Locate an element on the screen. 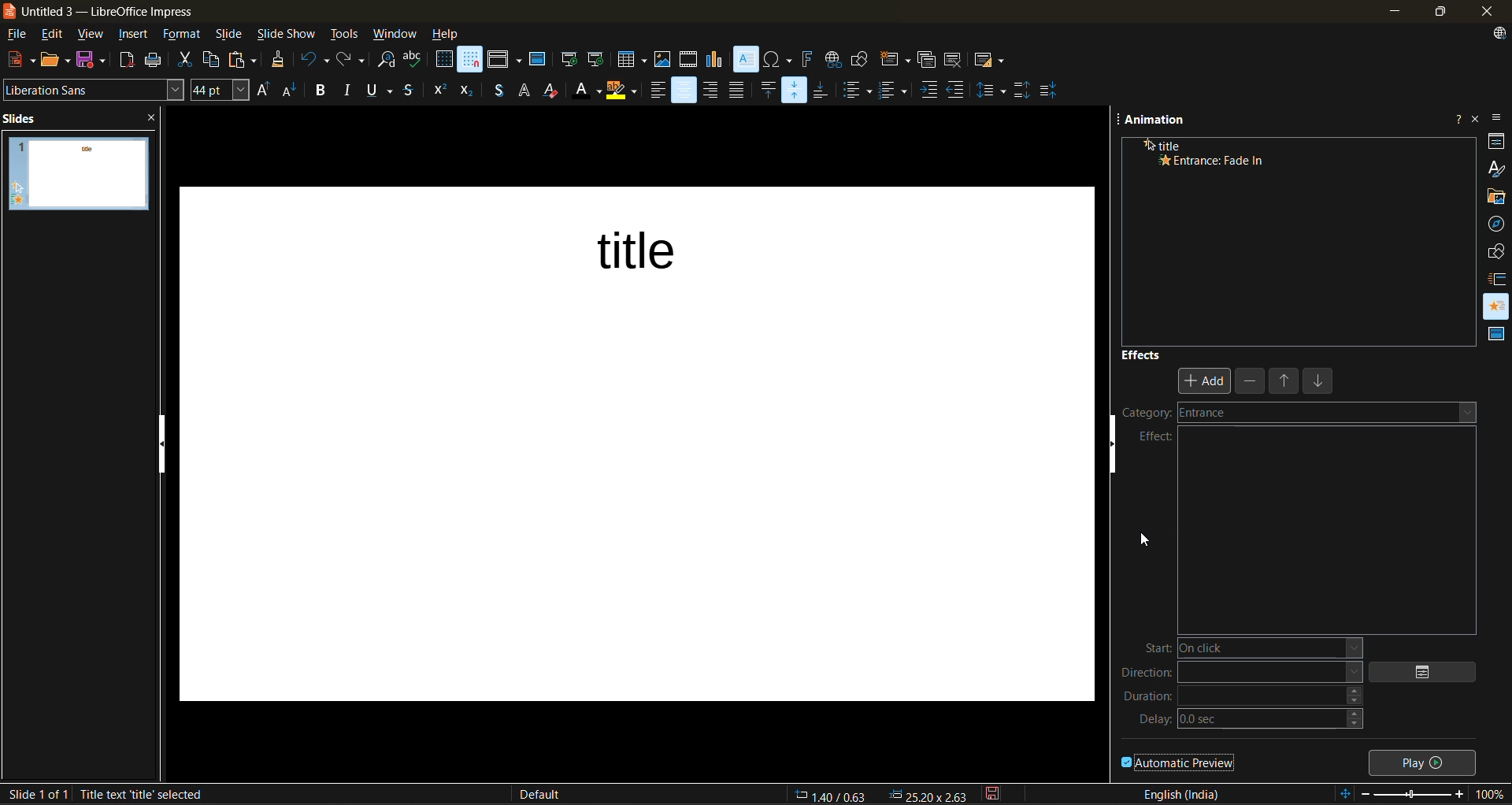 The height and width of the screenshot is (805, 1512). table is located at coordinates (632, 59).